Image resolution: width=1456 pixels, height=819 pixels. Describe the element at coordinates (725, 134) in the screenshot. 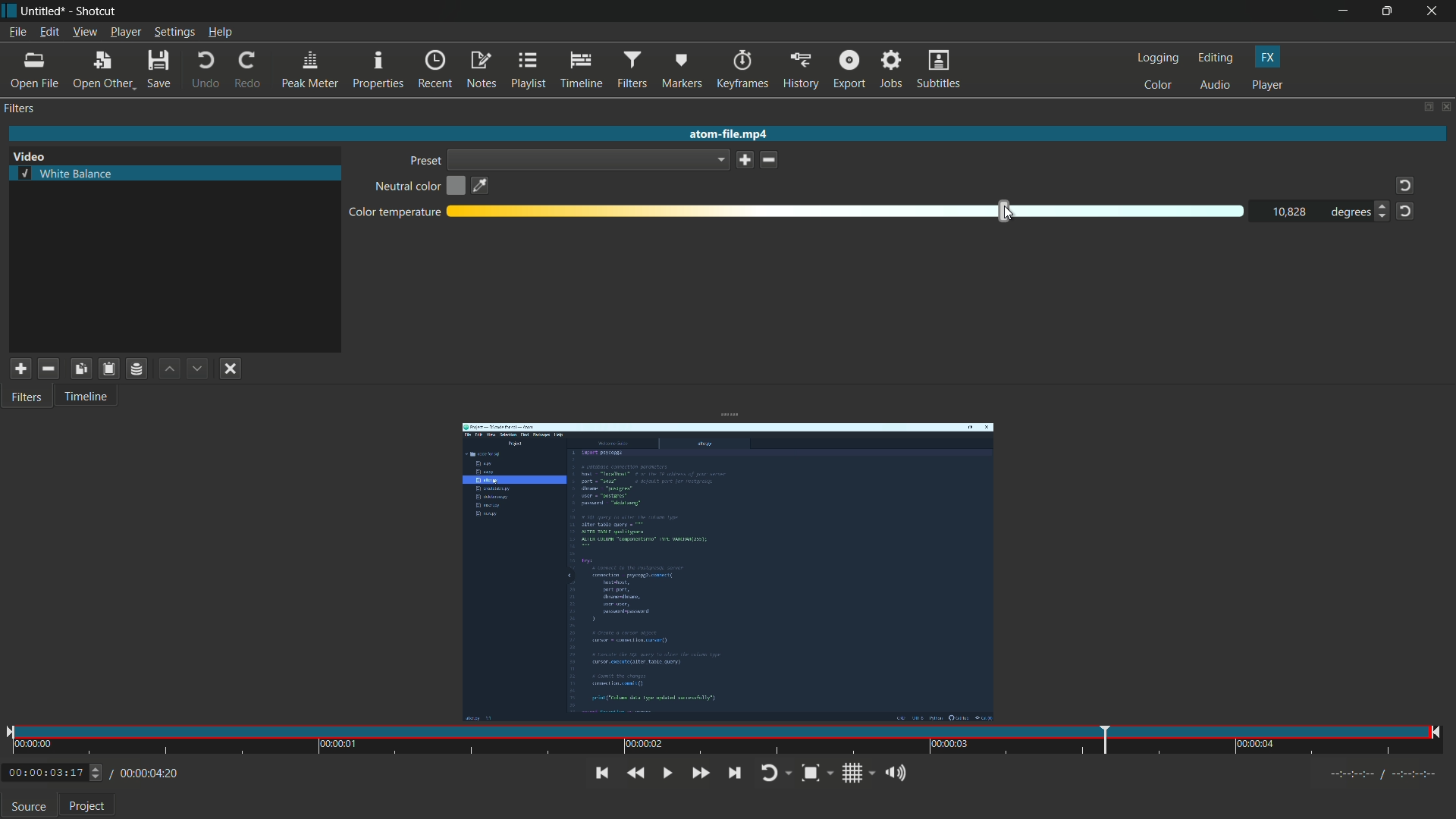

I see `atom-fie.mp4(imported video name)` at that location.